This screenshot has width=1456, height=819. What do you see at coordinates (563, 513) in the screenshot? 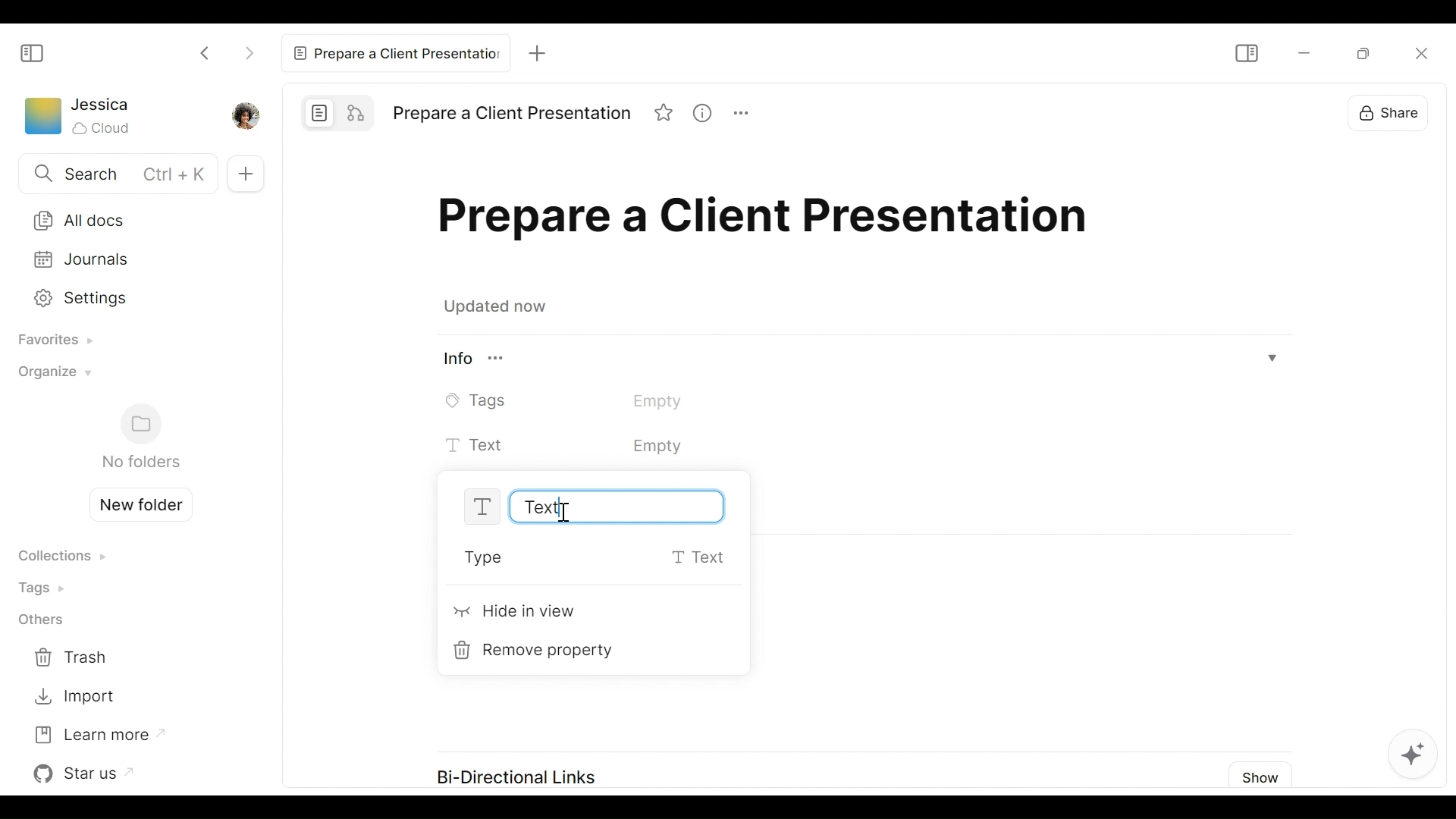
I see `Insertion Cursor` at bounding box center [563, 513].